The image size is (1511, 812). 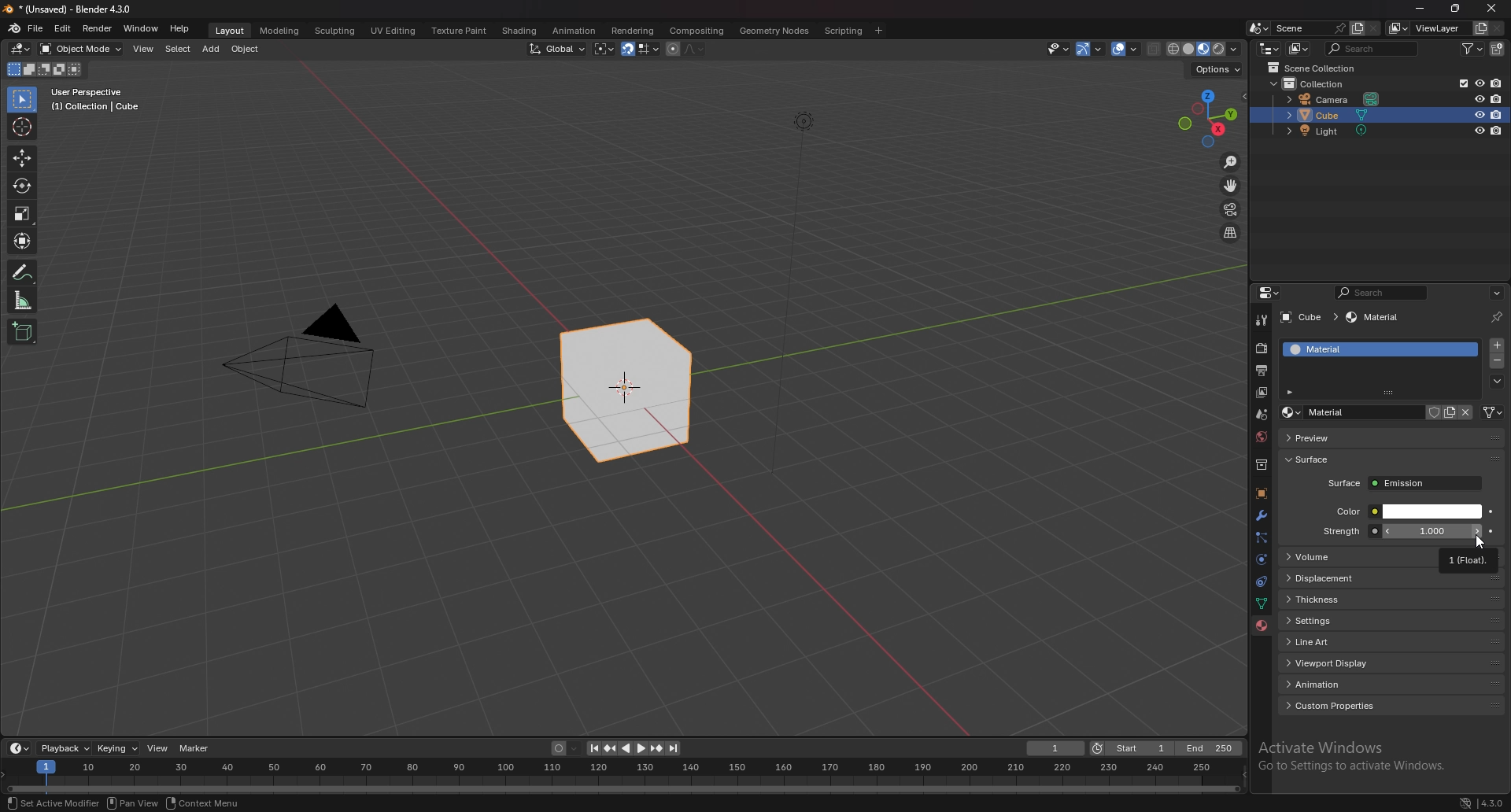 What do you see at coordinates (1263, 393) in the screenshot?
I see `viewlayer` at bounding box center [1263, 393].